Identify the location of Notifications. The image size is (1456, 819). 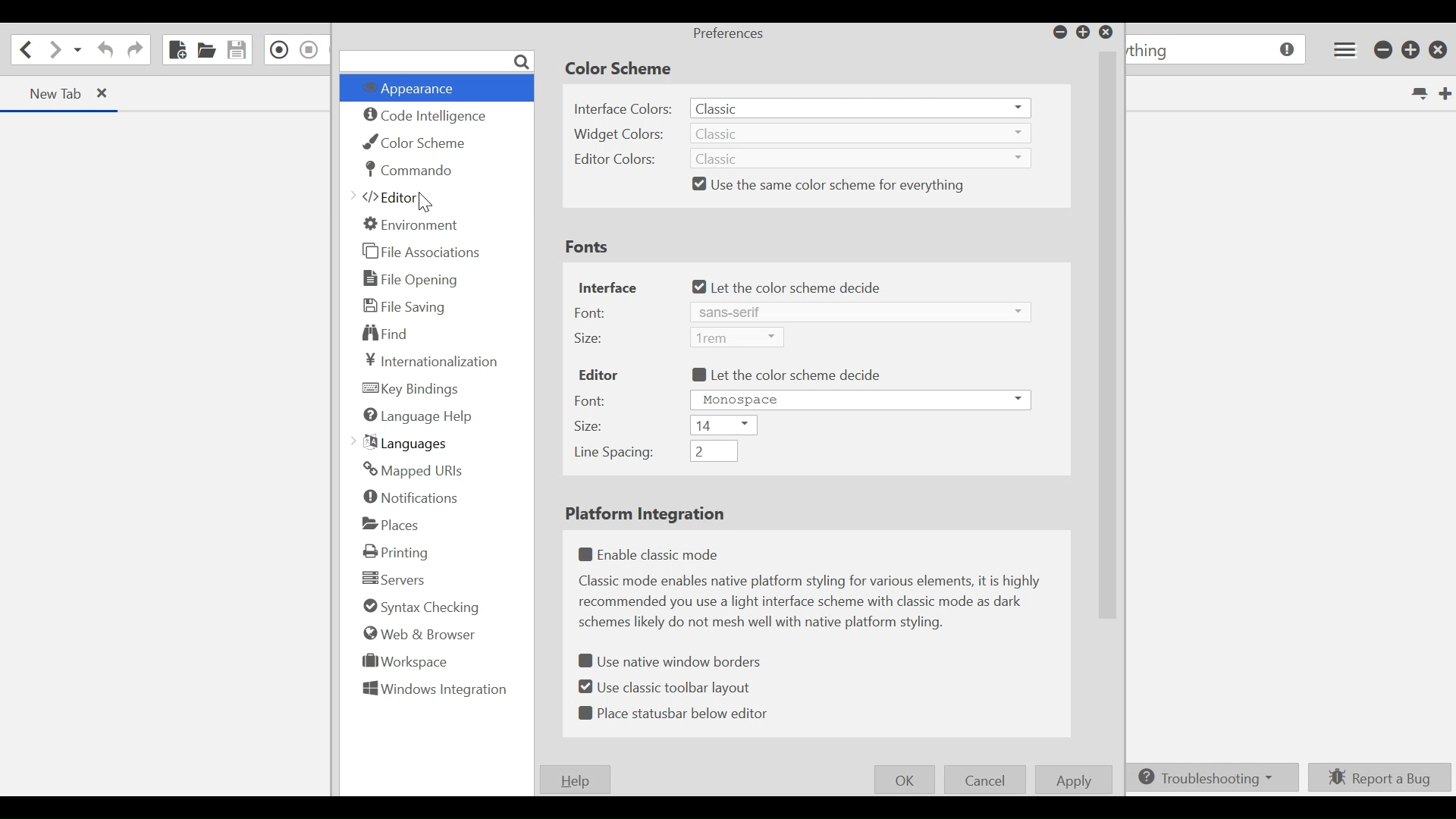
(412, 497).